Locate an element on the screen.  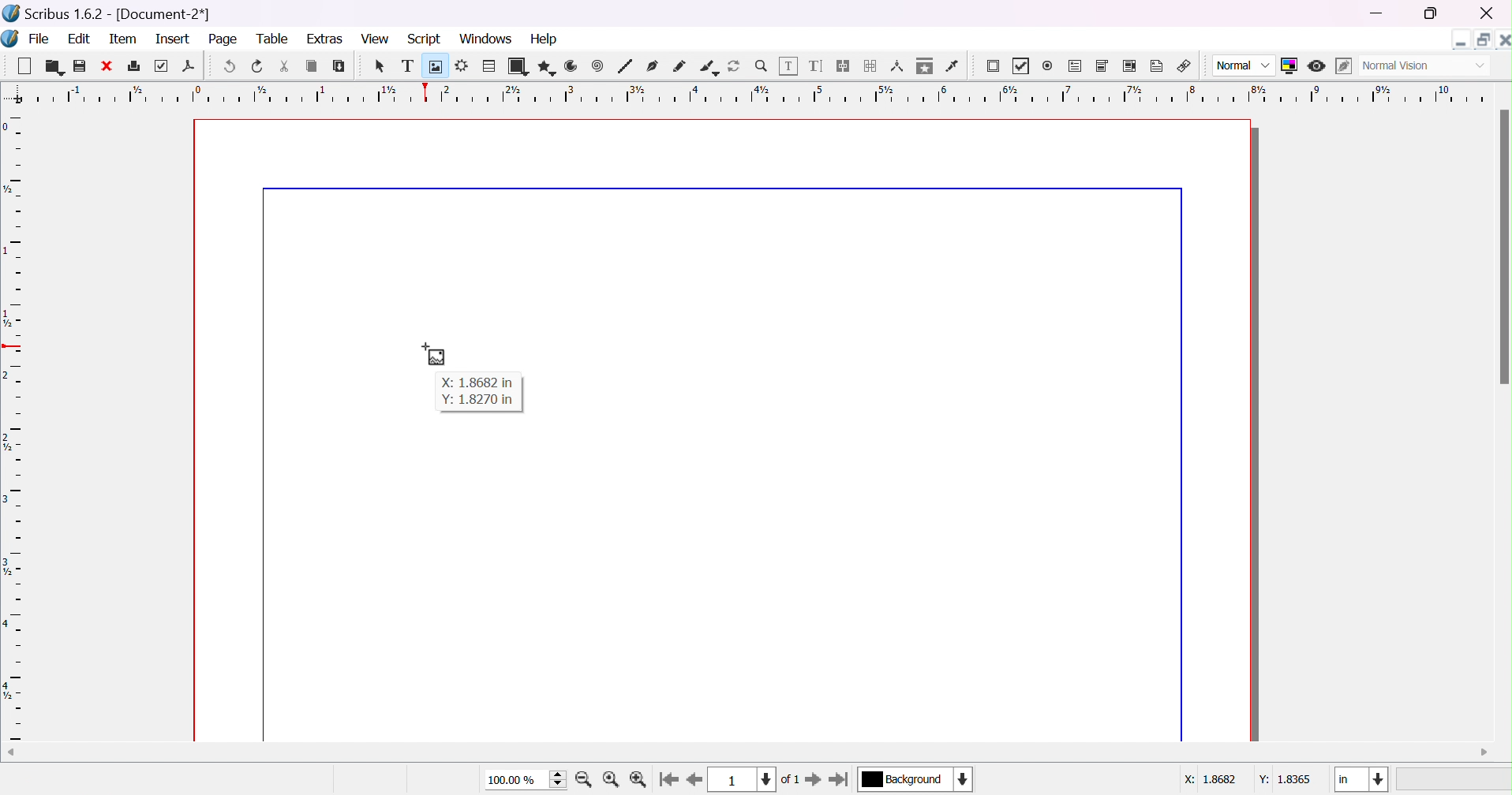
zoom out is located at coordinates (640, 780).